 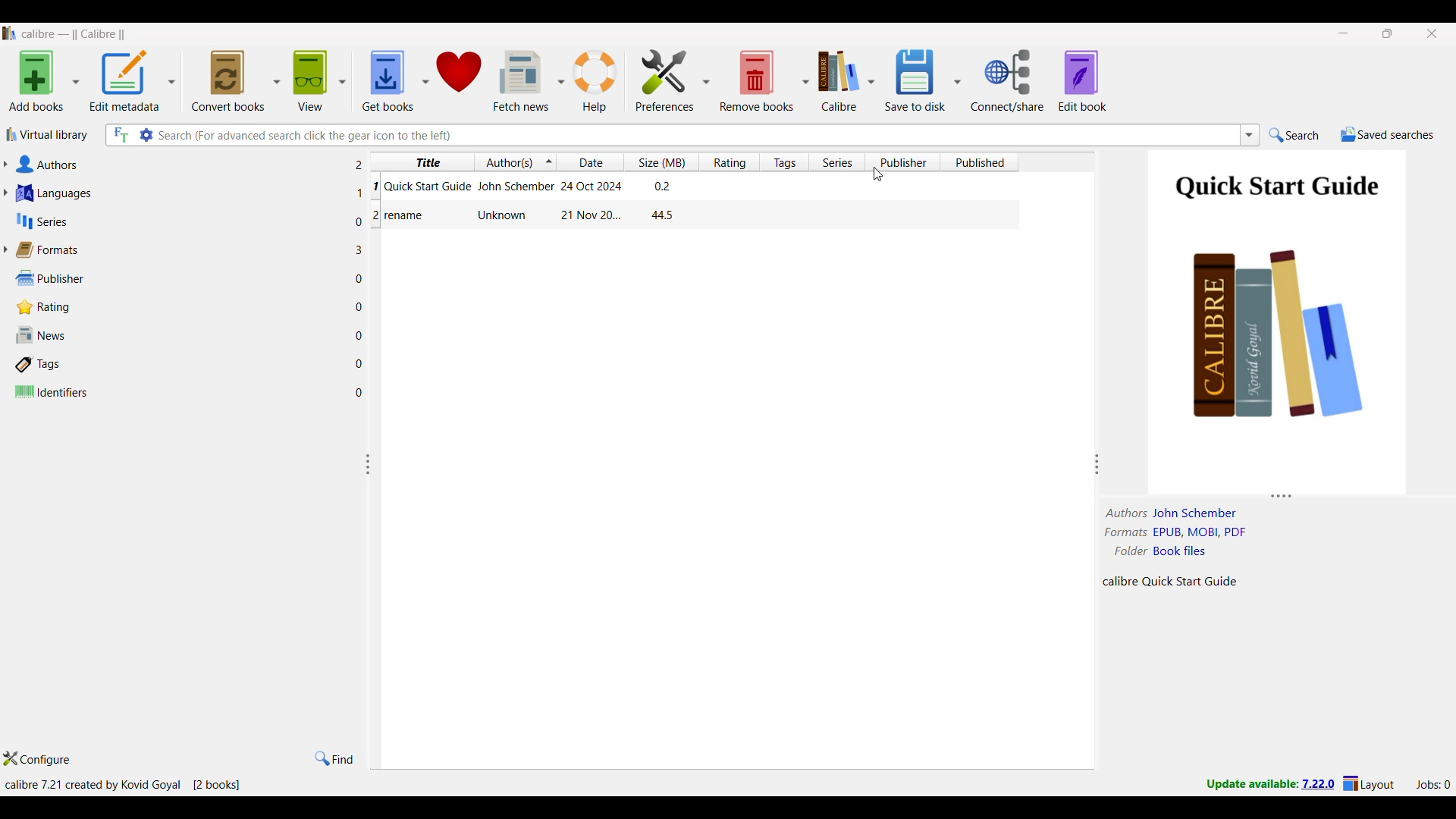 I want to click on Calibre settings, so click(x=846, y=80).